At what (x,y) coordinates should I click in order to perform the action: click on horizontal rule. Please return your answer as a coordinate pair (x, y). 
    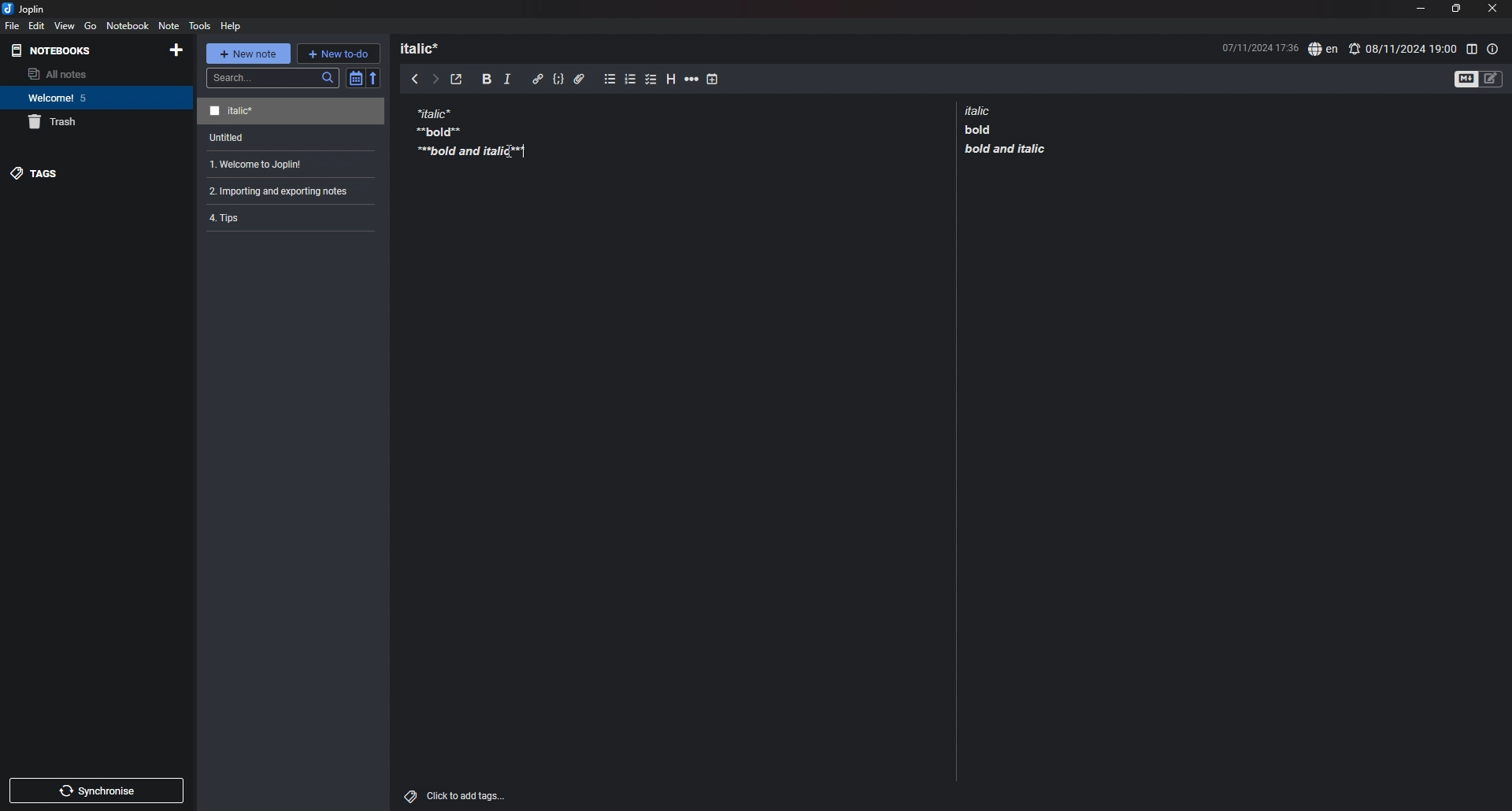
    Looking at the image, I should click on (691, 81).